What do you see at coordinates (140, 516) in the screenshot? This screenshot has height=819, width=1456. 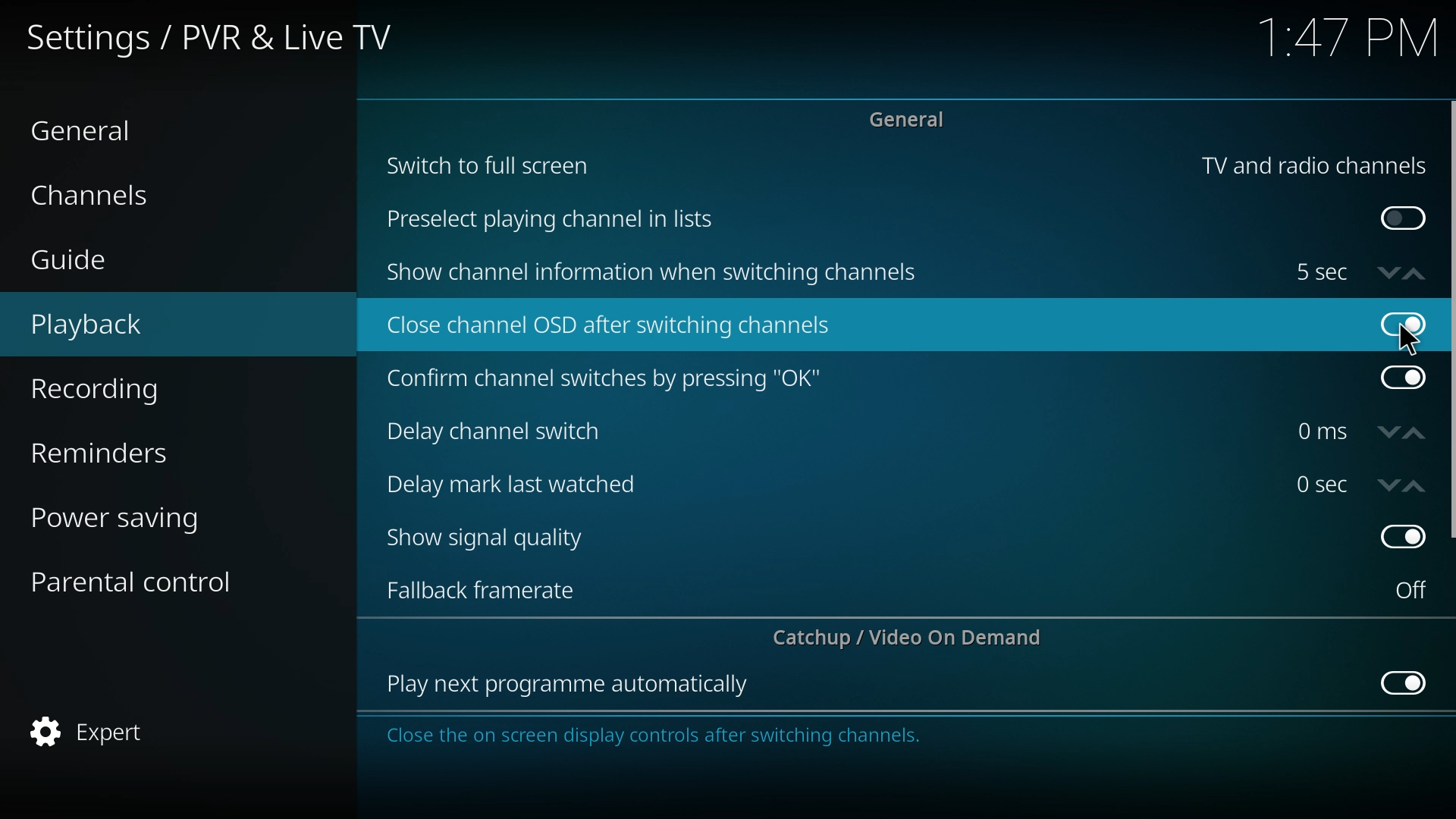 I see `power saving` at bounding box center [140, 516].